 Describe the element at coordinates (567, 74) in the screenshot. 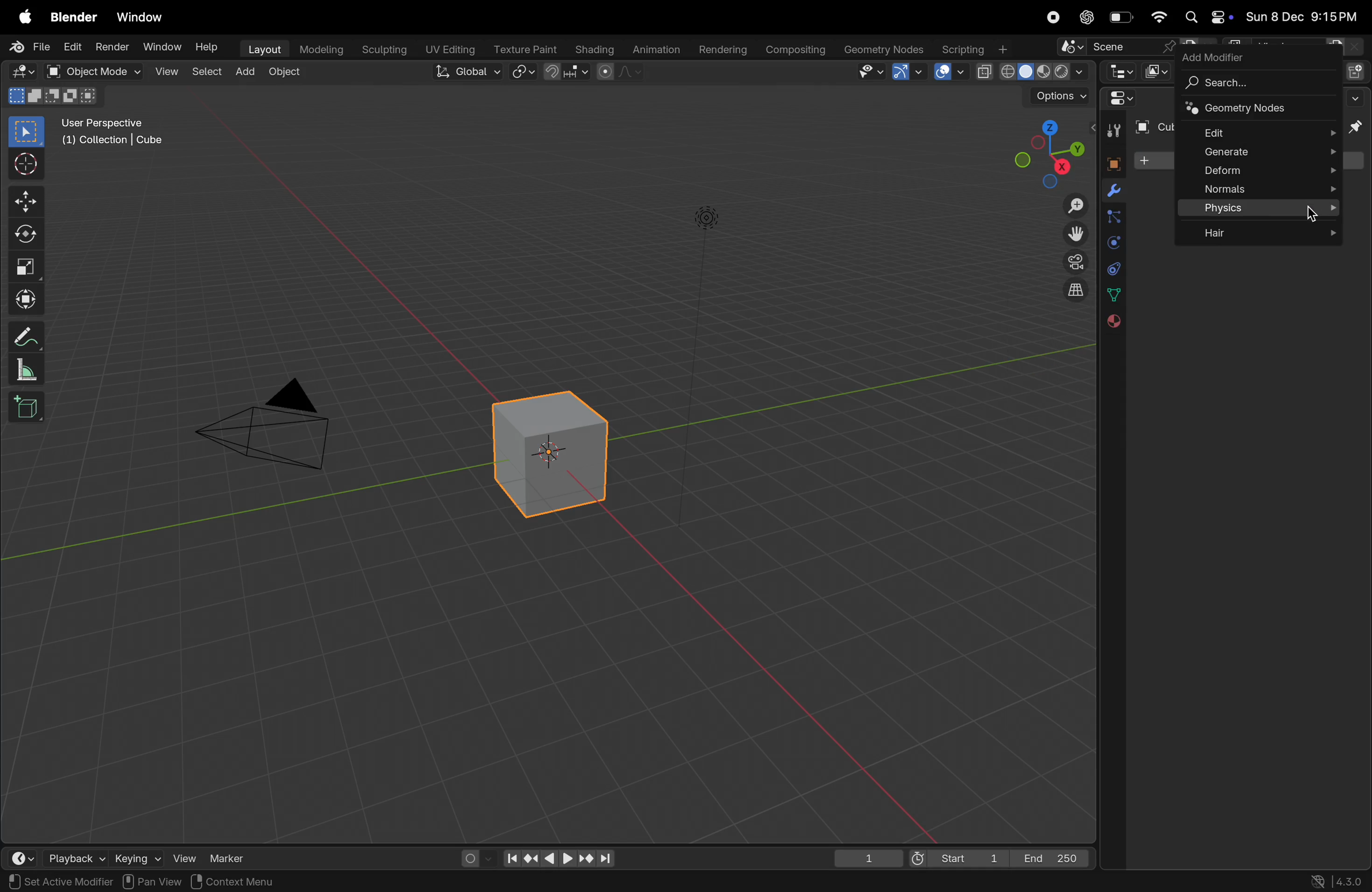

I see `` at that location.